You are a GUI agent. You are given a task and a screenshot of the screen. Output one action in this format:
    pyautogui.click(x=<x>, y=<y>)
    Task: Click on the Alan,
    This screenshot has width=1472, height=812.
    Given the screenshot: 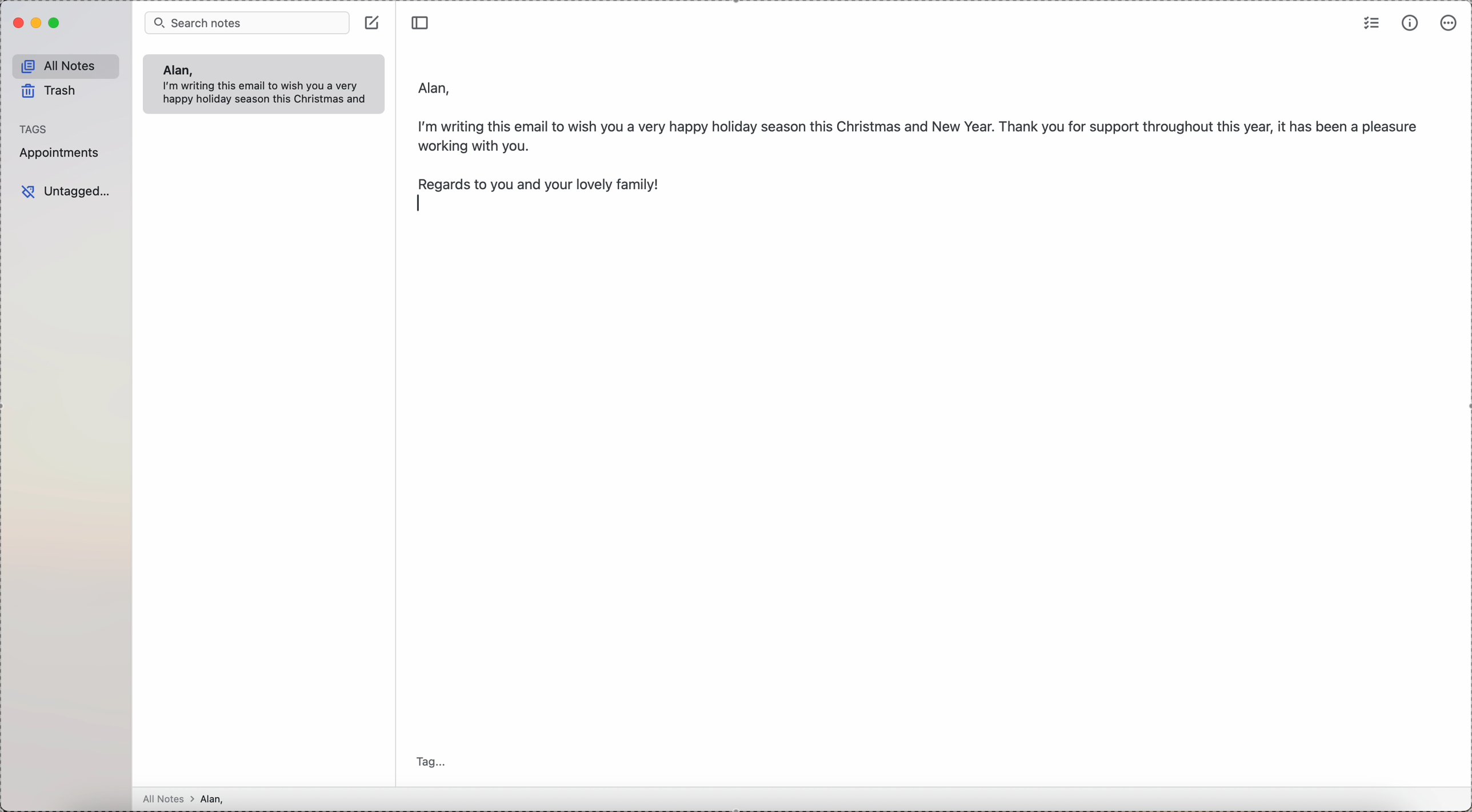 What is the action you would take?
    pyautogui.click(x=435, y=85)
    